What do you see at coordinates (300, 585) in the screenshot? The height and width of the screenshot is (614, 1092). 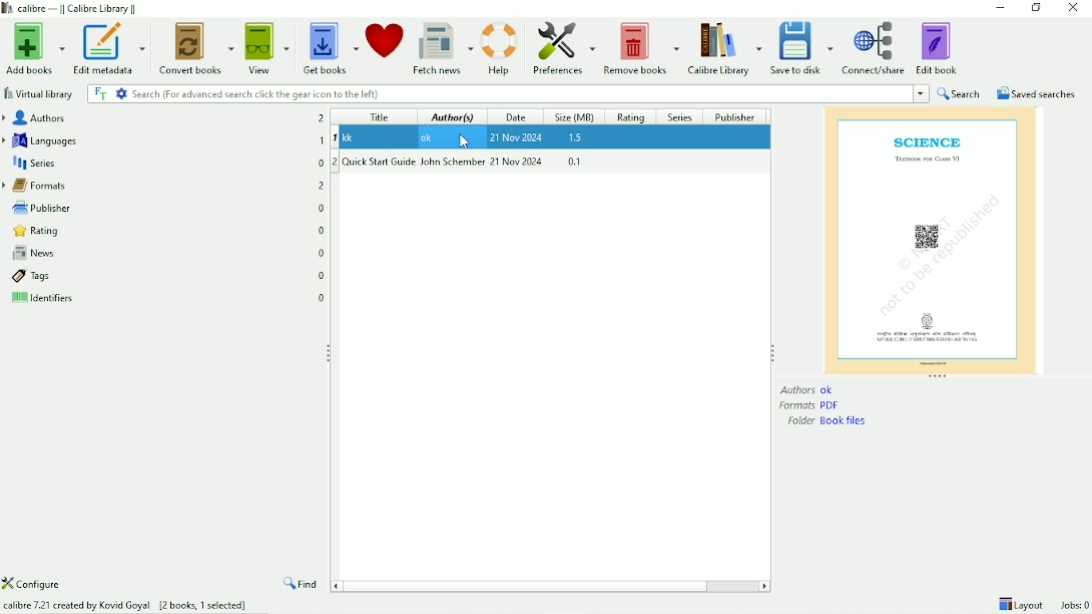 I see `Find` at bounding box center [300, 585].